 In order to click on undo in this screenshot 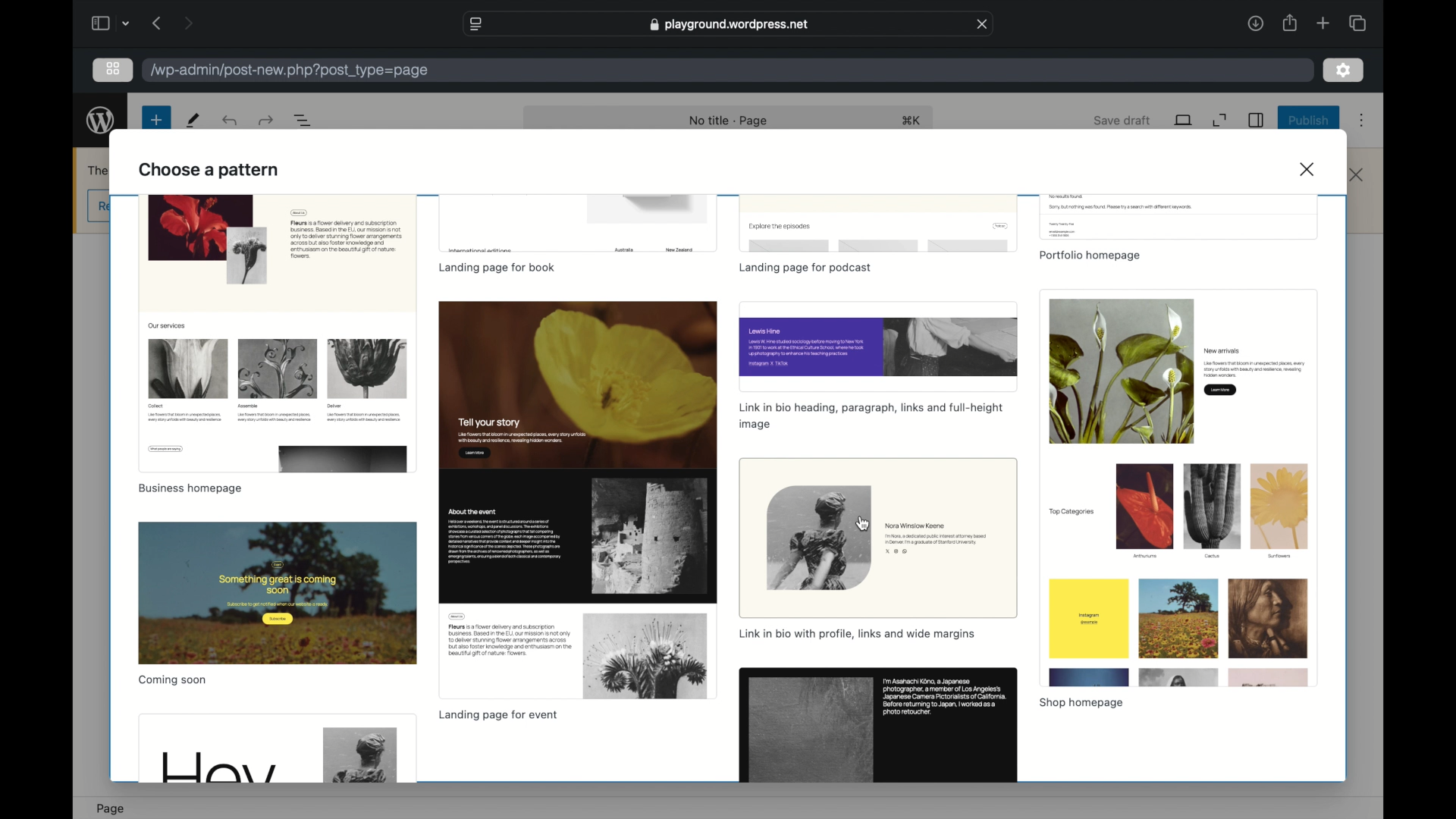, I will do `click(268, 120)`.